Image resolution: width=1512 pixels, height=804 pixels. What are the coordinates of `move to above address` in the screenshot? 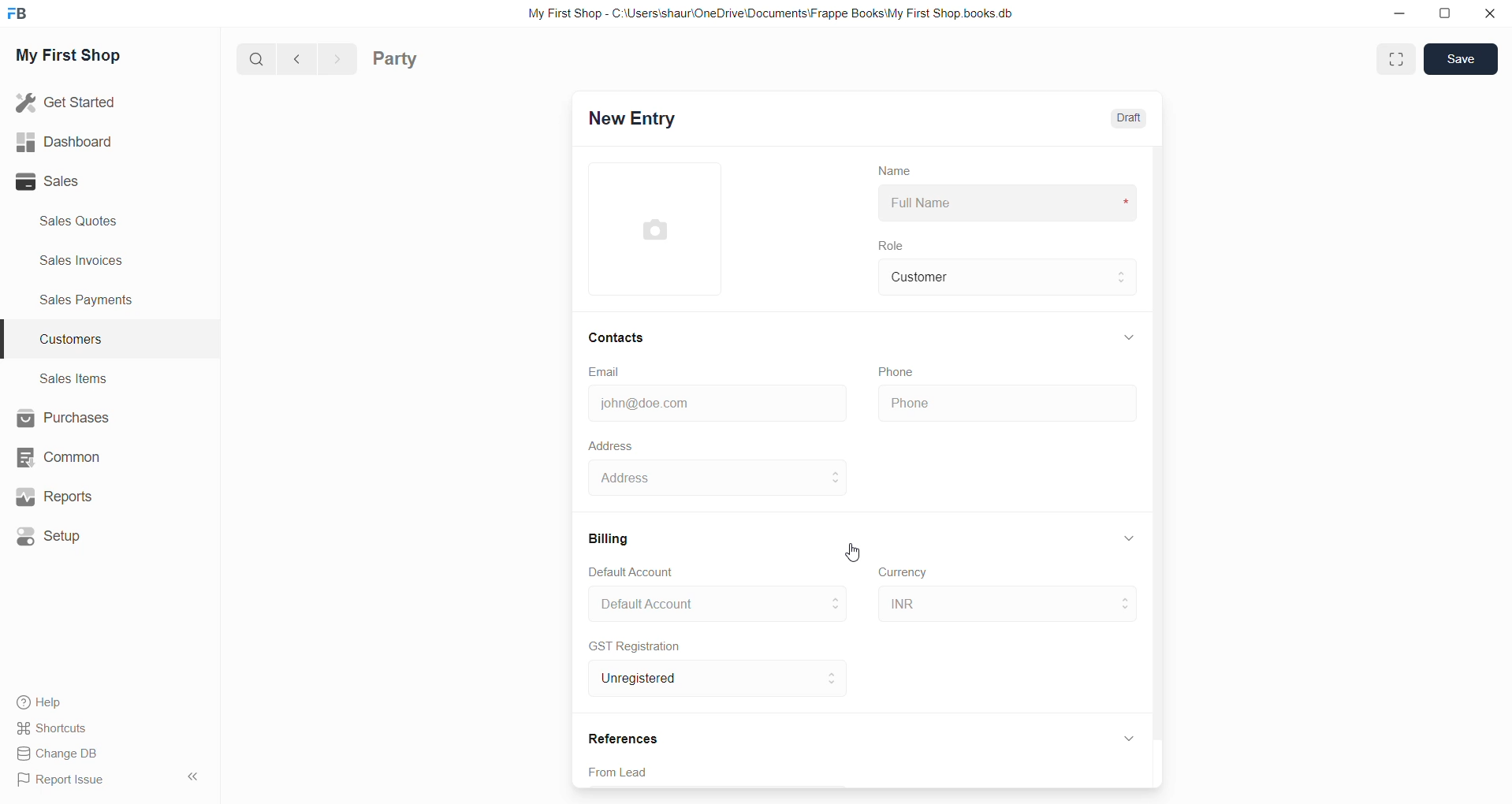 It's located at (835, 597).